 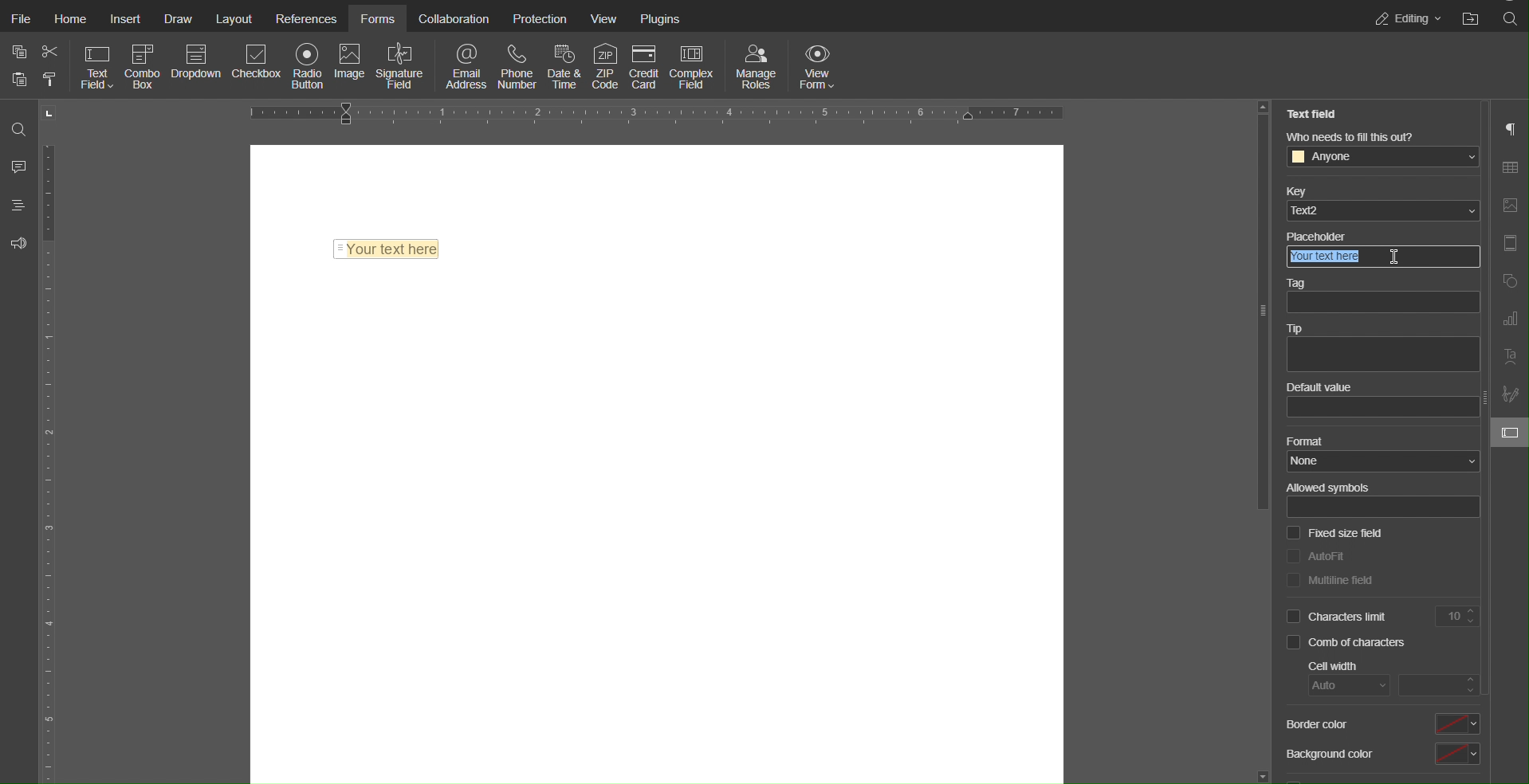 I want to click on Autofit, so click(x=1318, y=555).